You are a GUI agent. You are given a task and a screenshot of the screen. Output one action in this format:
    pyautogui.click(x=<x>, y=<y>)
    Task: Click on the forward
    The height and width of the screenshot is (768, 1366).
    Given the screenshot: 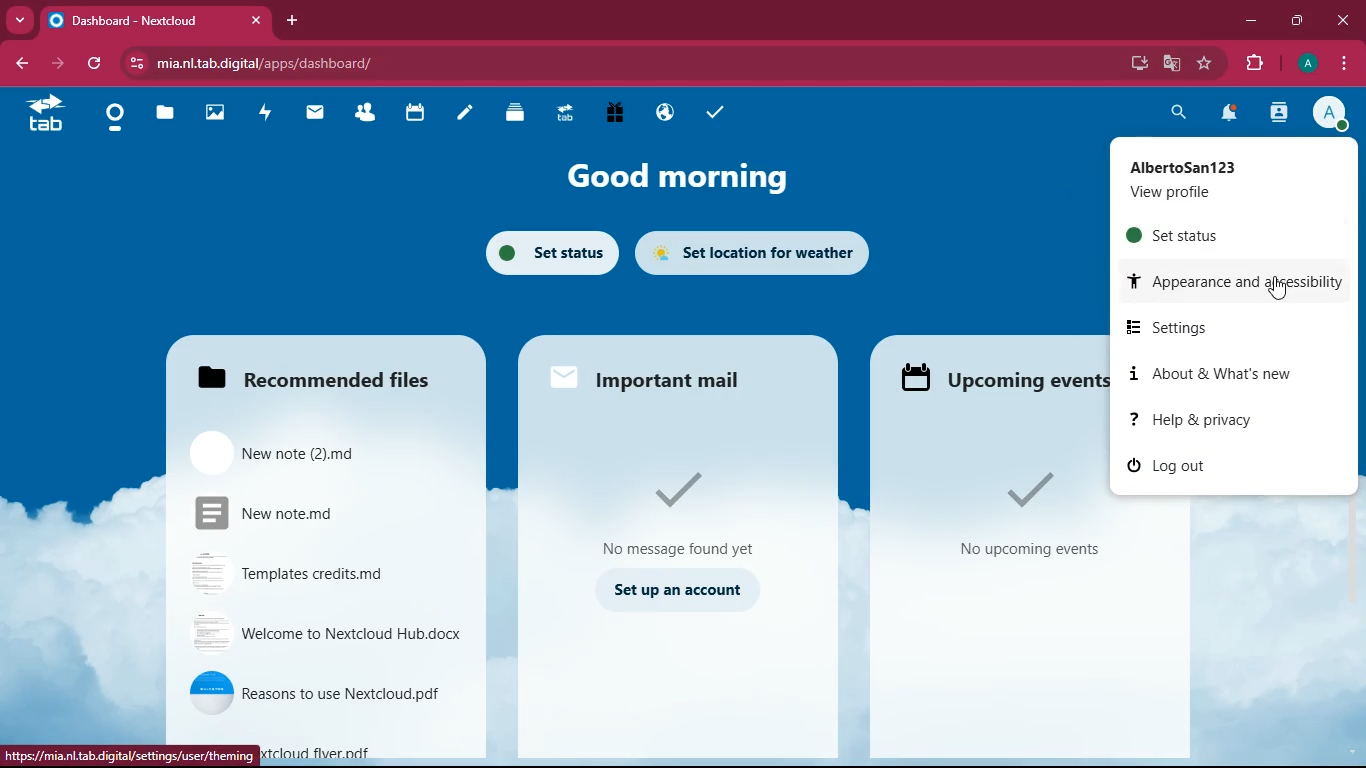 What is the action you would take?
    pyautogui.click(x=55, y=62)
    